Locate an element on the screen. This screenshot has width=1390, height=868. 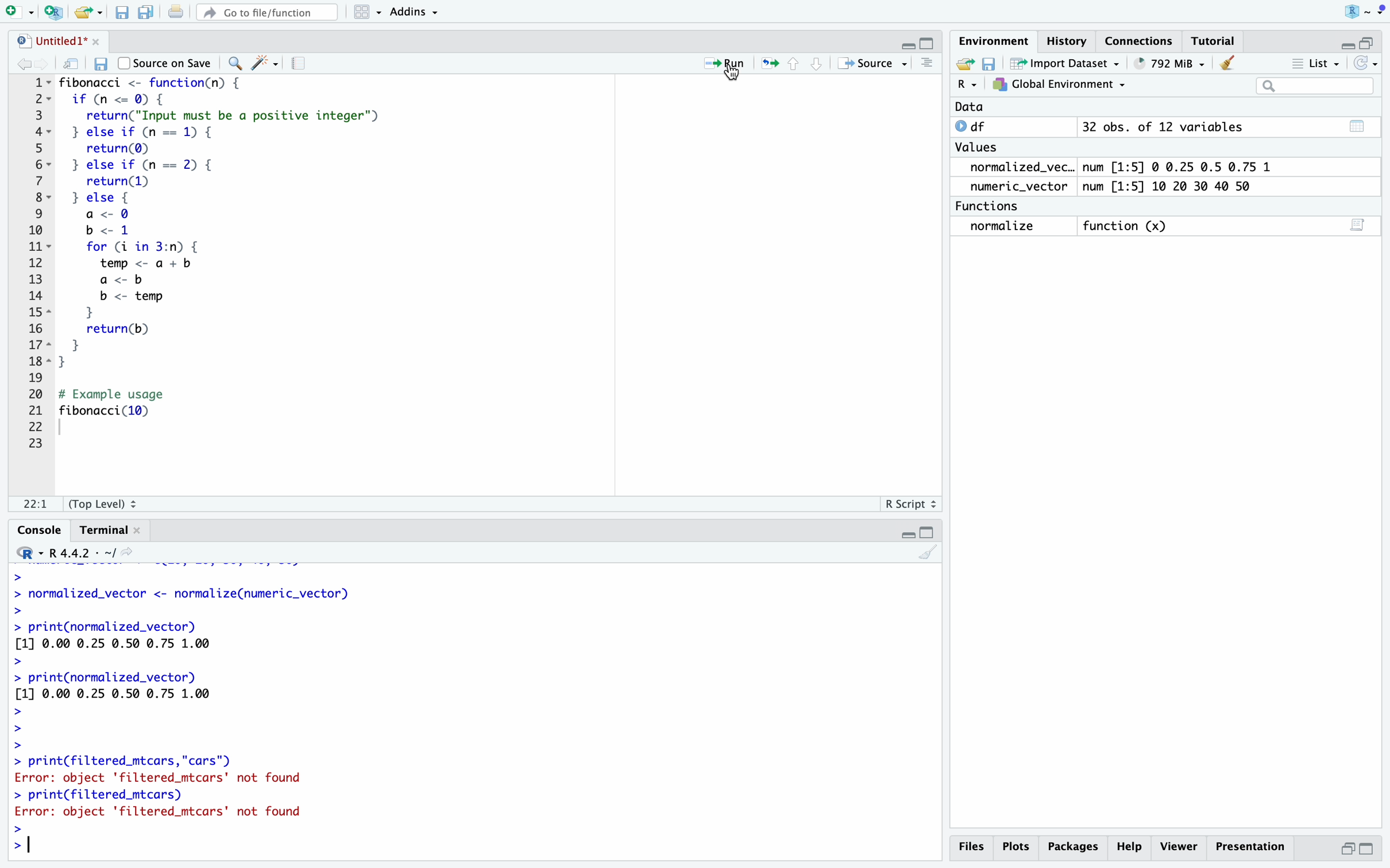
environment is located at coordinates (991, 40).